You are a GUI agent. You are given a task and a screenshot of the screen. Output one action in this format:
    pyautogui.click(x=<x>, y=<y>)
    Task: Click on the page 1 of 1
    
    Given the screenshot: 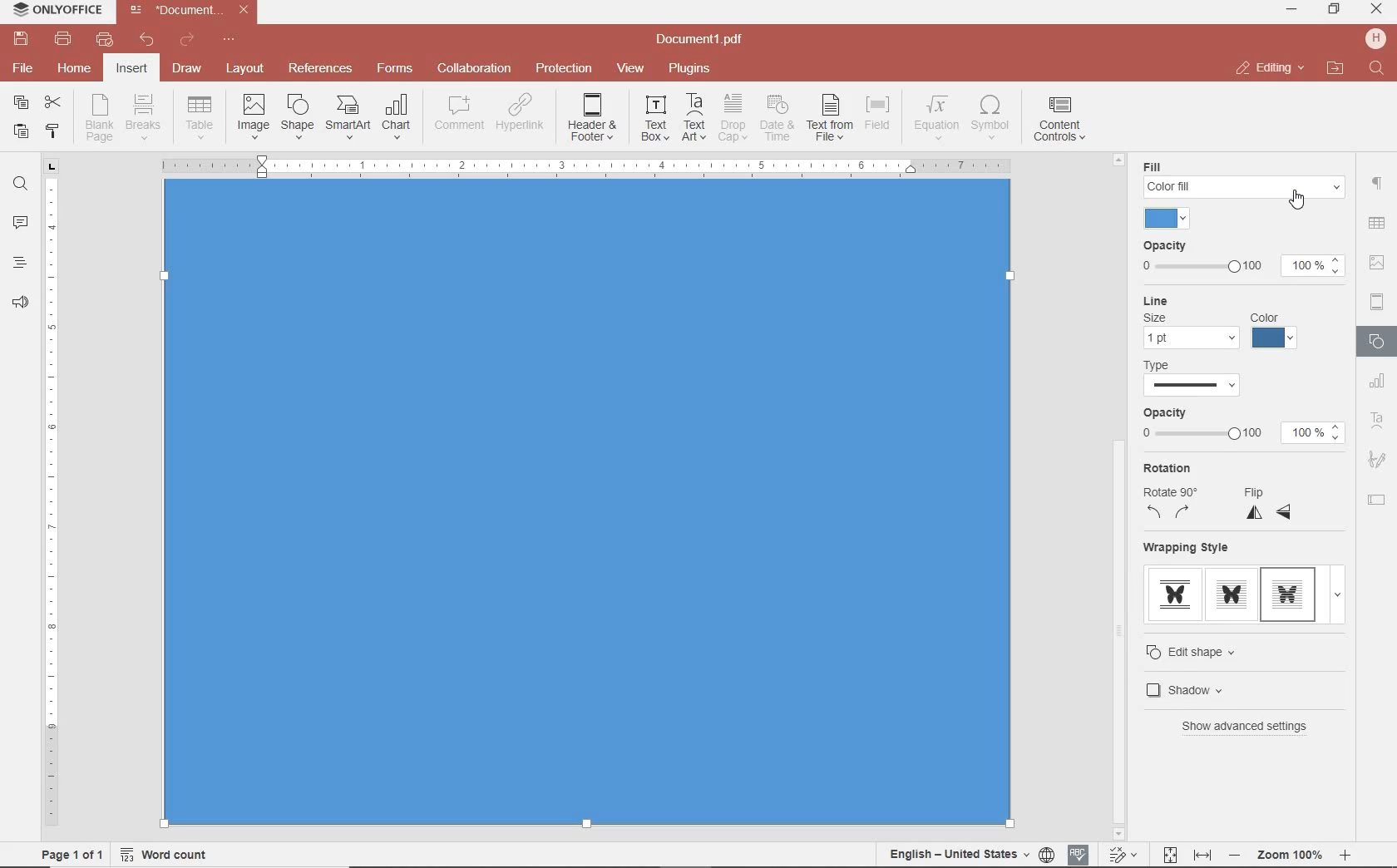 What is the action you would take?
    pyautogui.click(x=69, y=853)
    